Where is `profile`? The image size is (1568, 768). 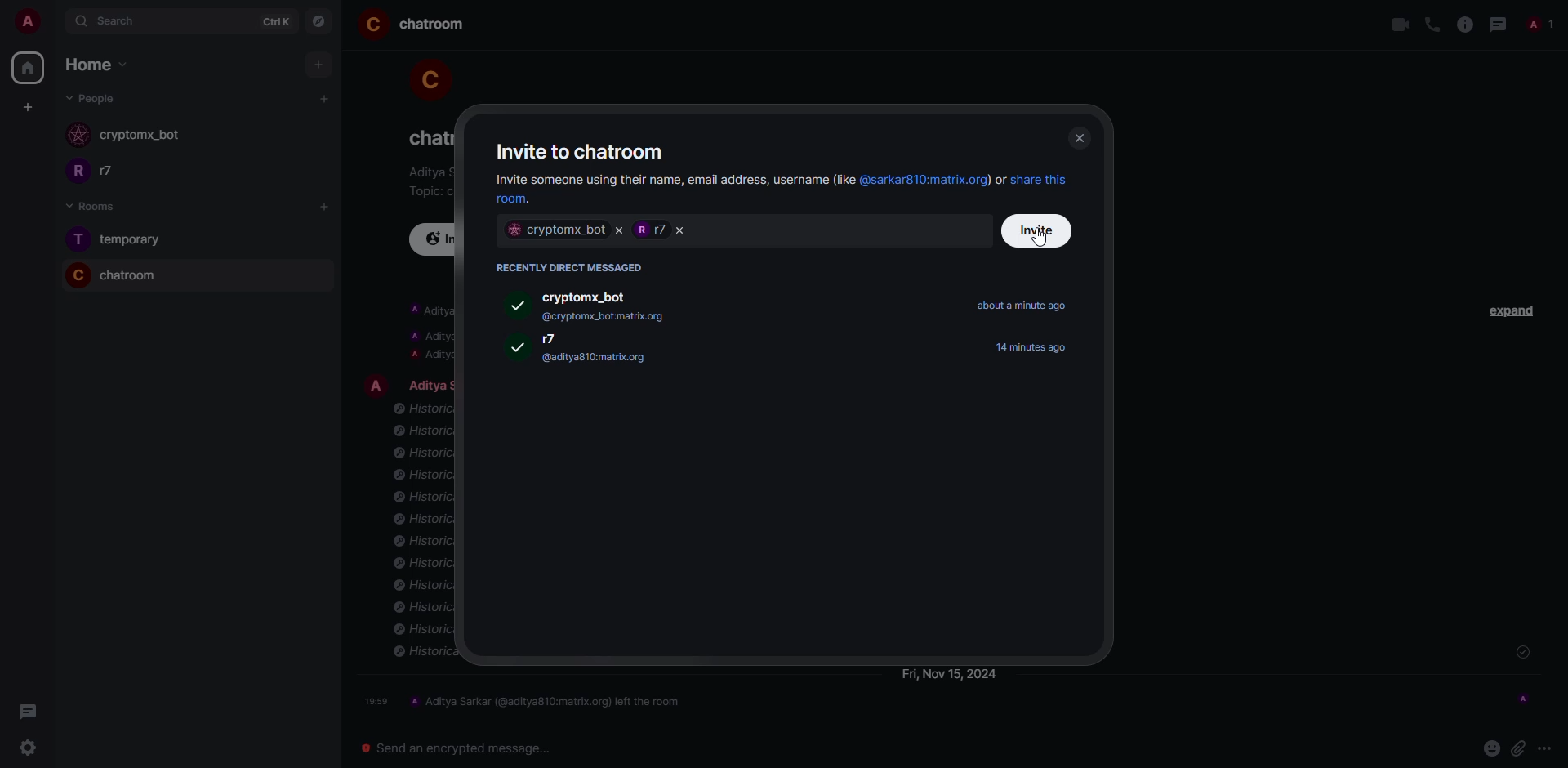 profile is located at coordinates (376, 384).